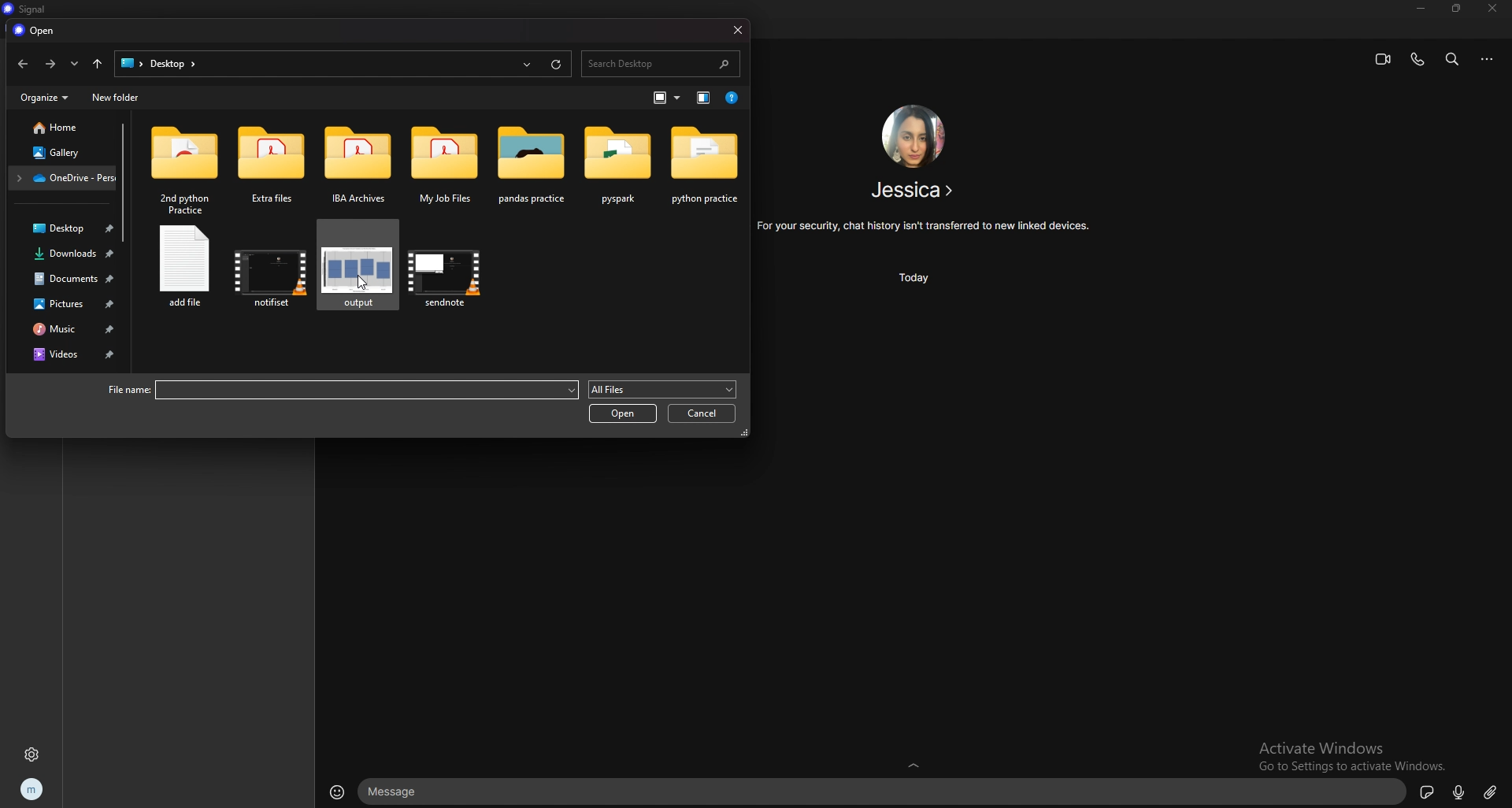  I want to click on attachment, so click(1493, 791).